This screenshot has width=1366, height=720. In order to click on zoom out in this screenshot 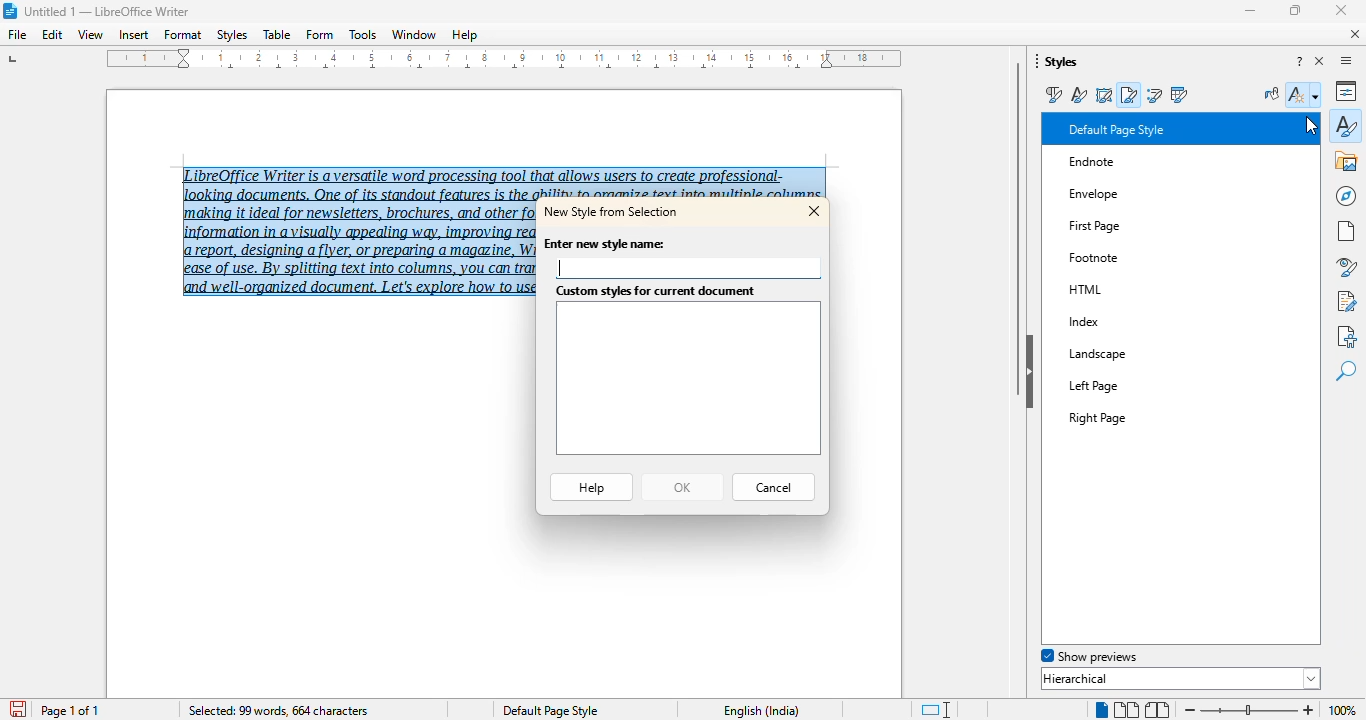, I will do `click(1188, 709)`.